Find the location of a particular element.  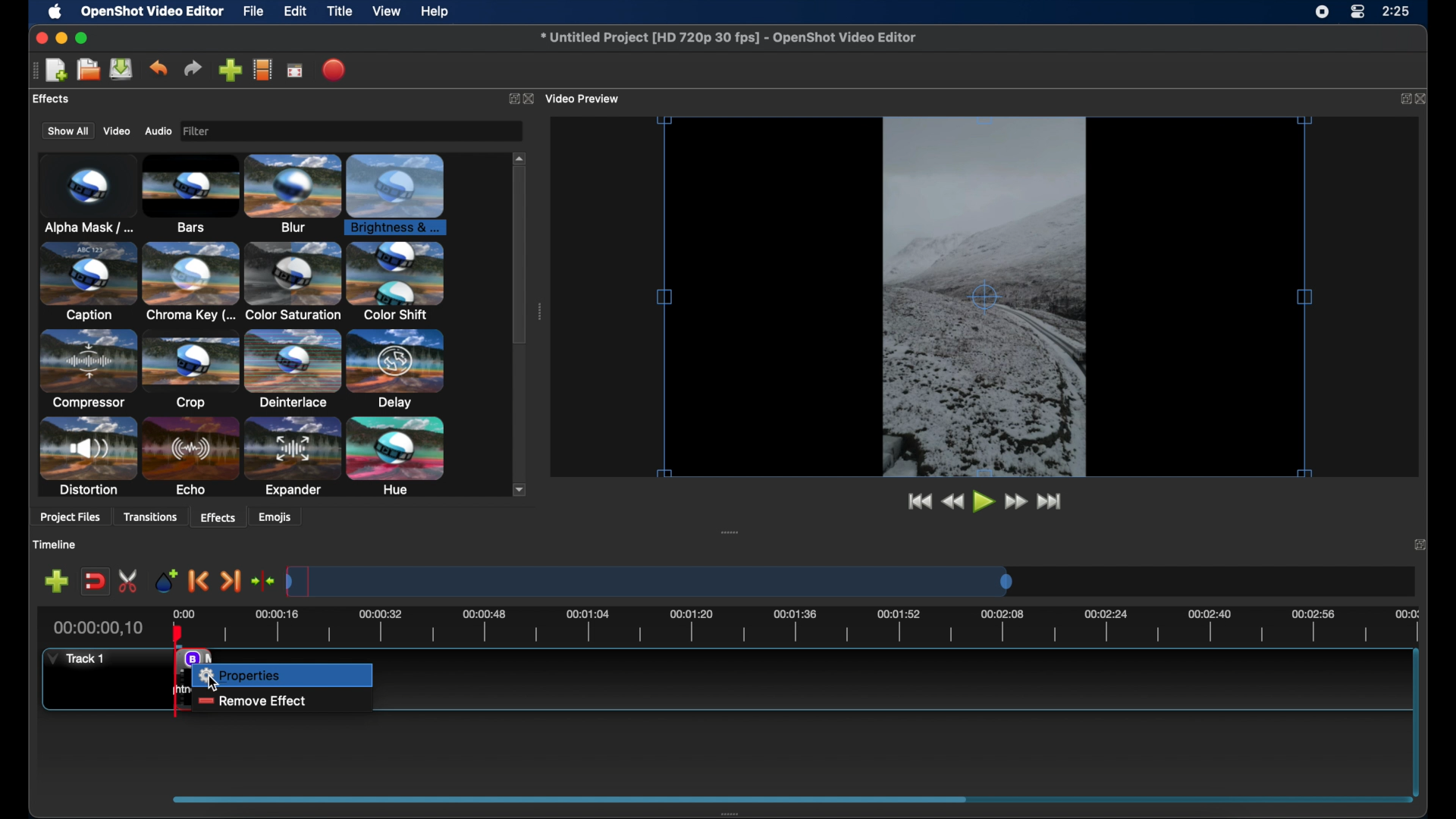

export video is located at coordinates (334, 69).